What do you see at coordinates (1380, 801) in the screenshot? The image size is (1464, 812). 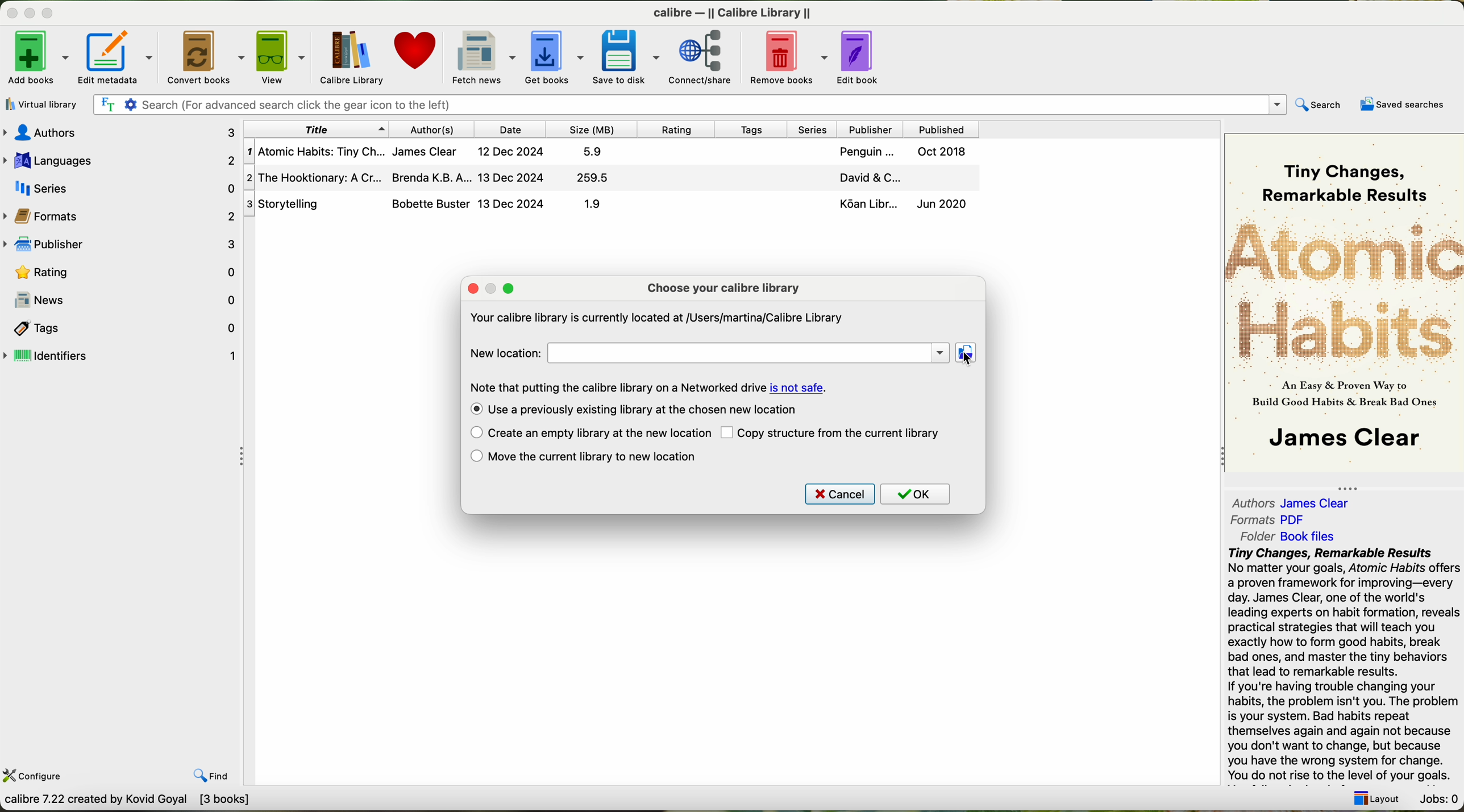 I see `layout` at bounding box center [1380, 801].